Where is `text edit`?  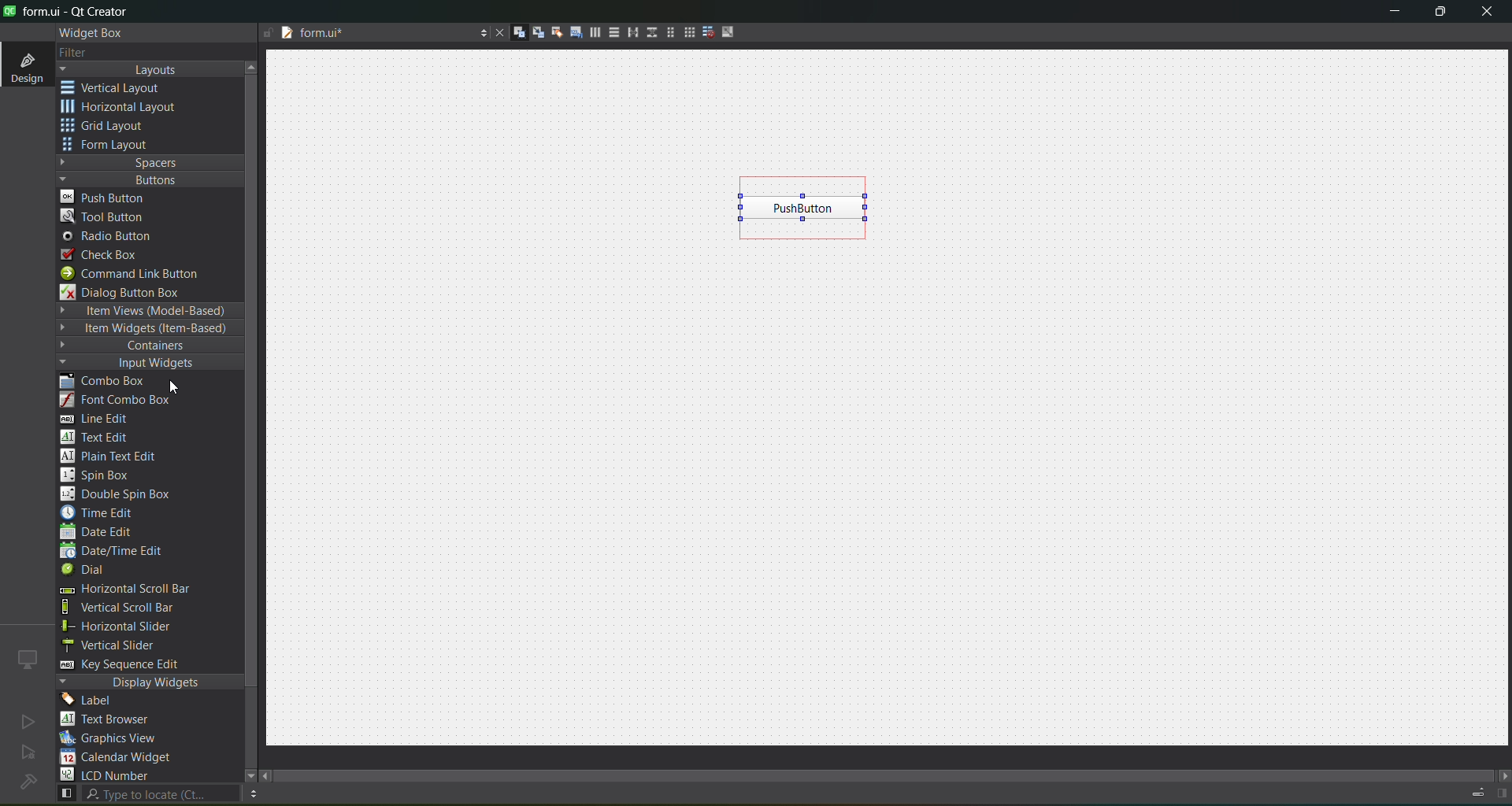 text edit is located at coordinates (99, 436).